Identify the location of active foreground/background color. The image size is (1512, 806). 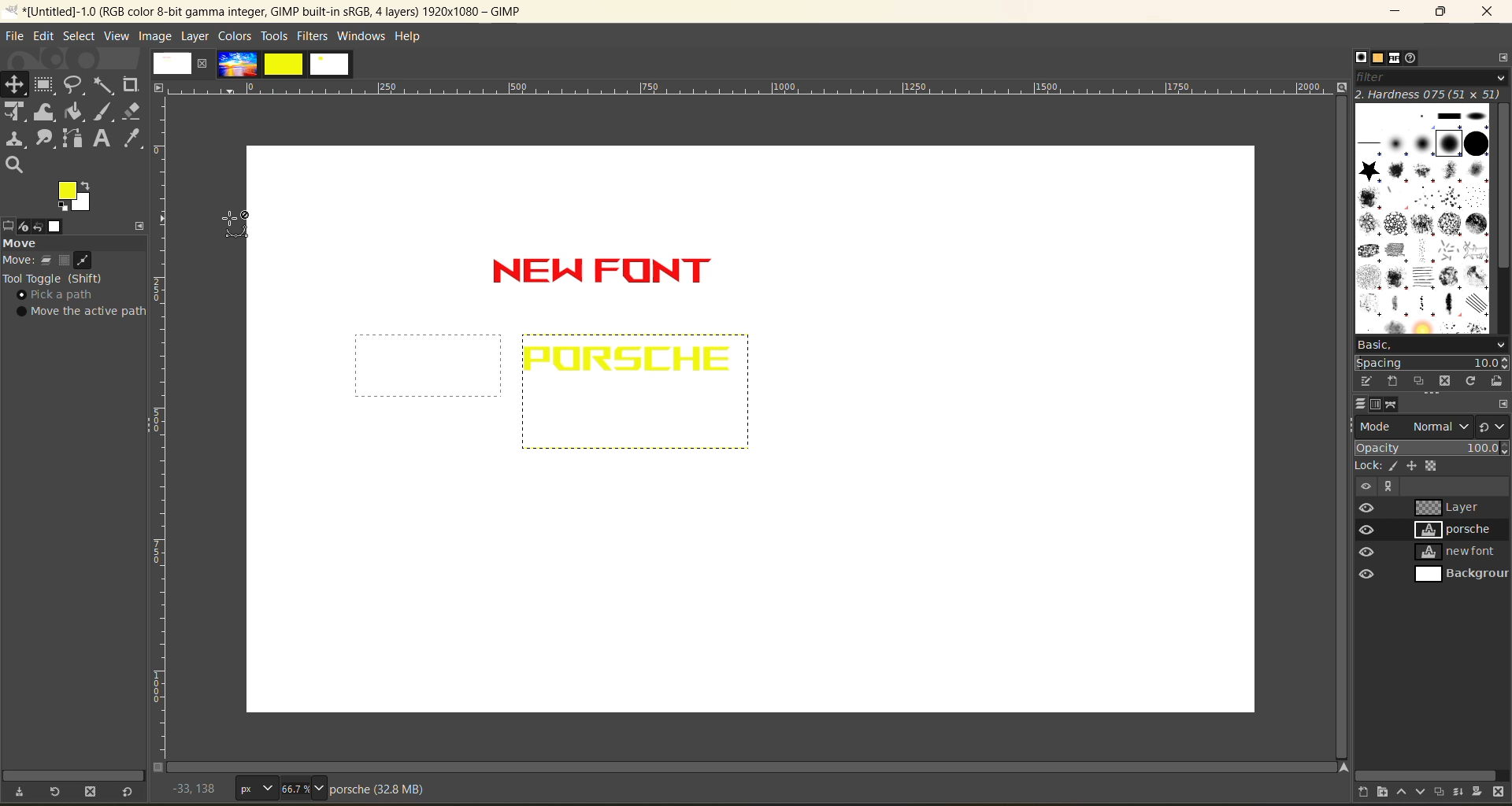
(75, 196).